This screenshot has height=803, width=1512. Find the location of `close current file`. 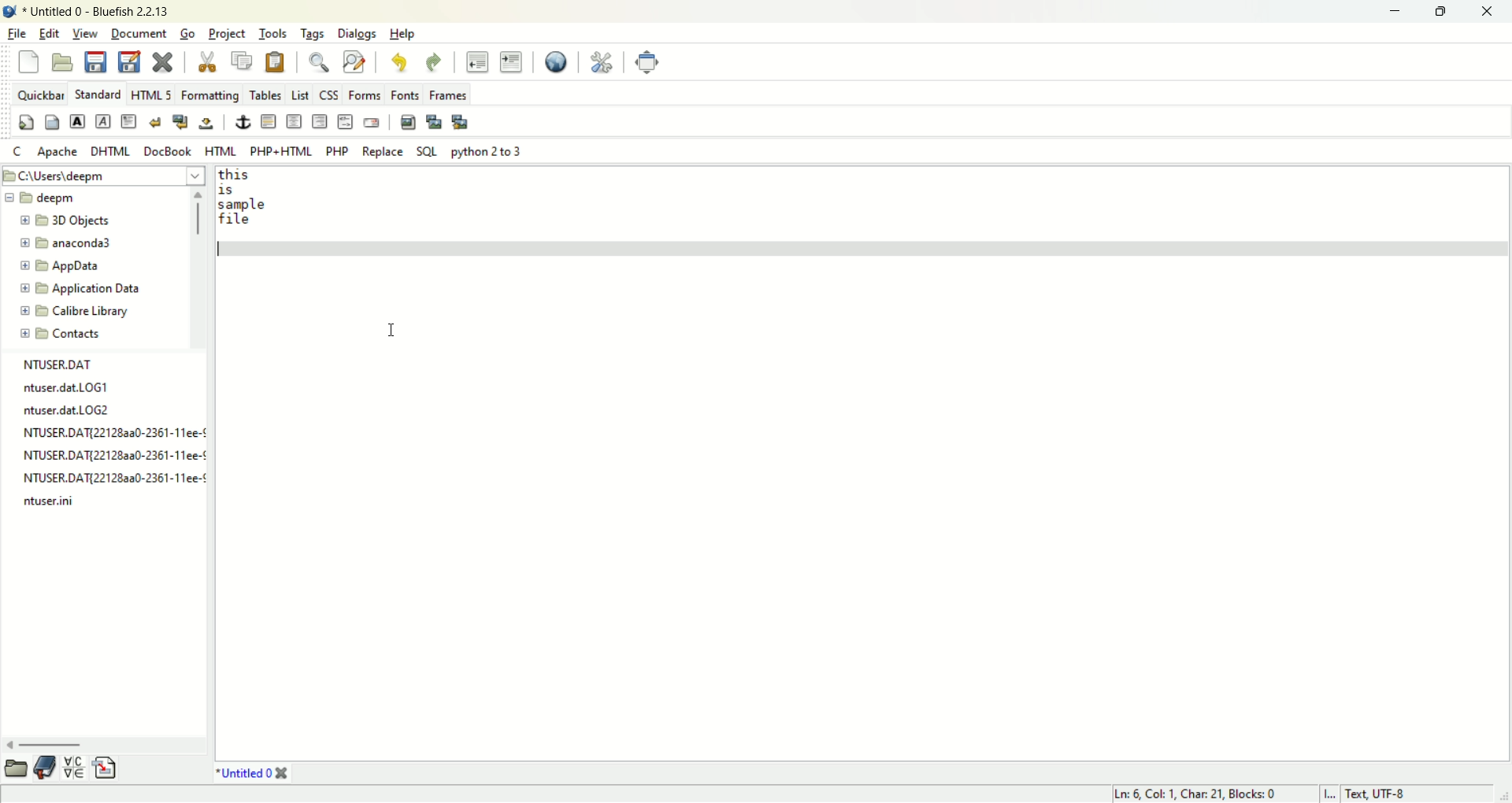

close current file is located at coordinates (165, 63).